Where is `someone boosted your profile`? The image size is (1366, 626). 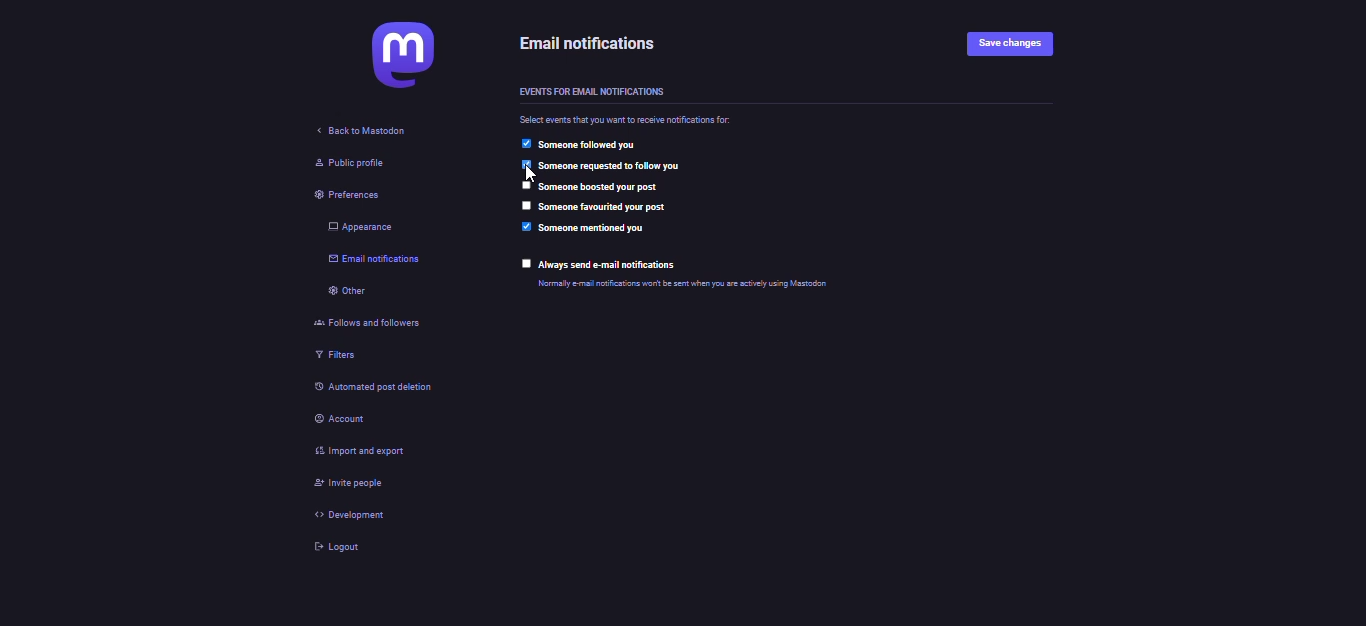
someone boosted your profile is located at coordinates (603, 187).